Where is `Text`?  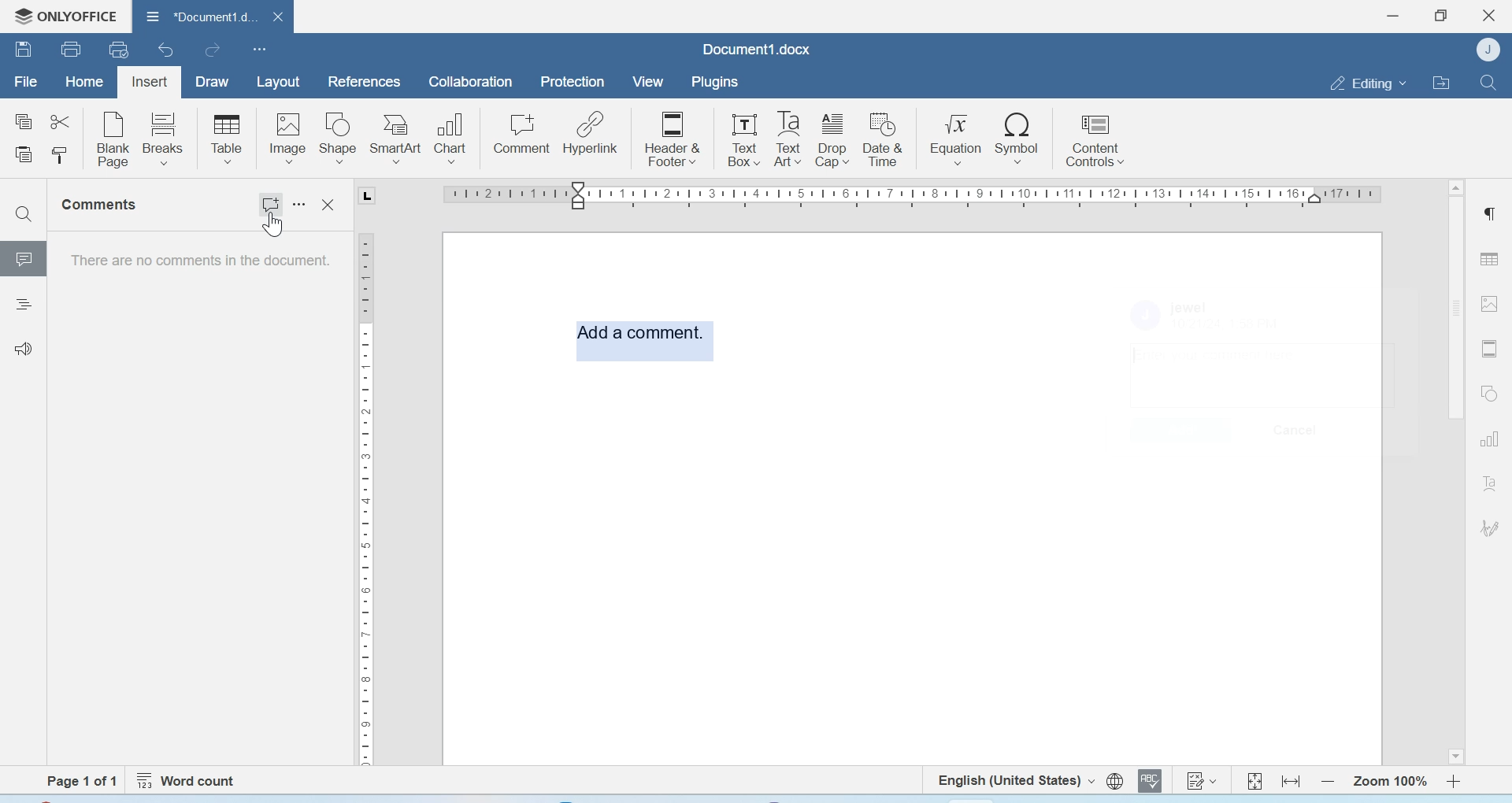 Text is located at coordinates (1490, 483).